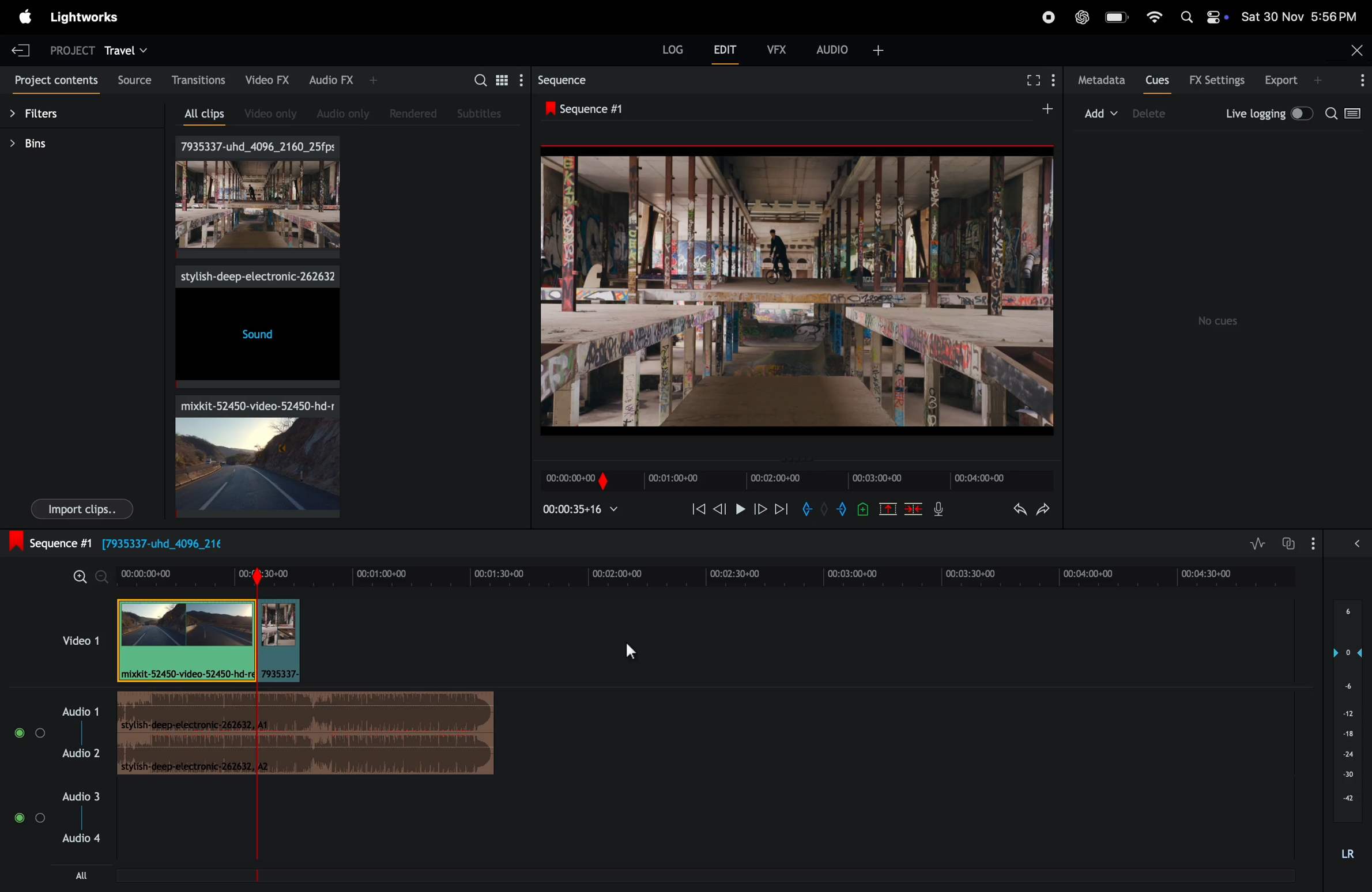 This screenshot has height=892, width=1372. I want to click on close, so click(1356, 48).